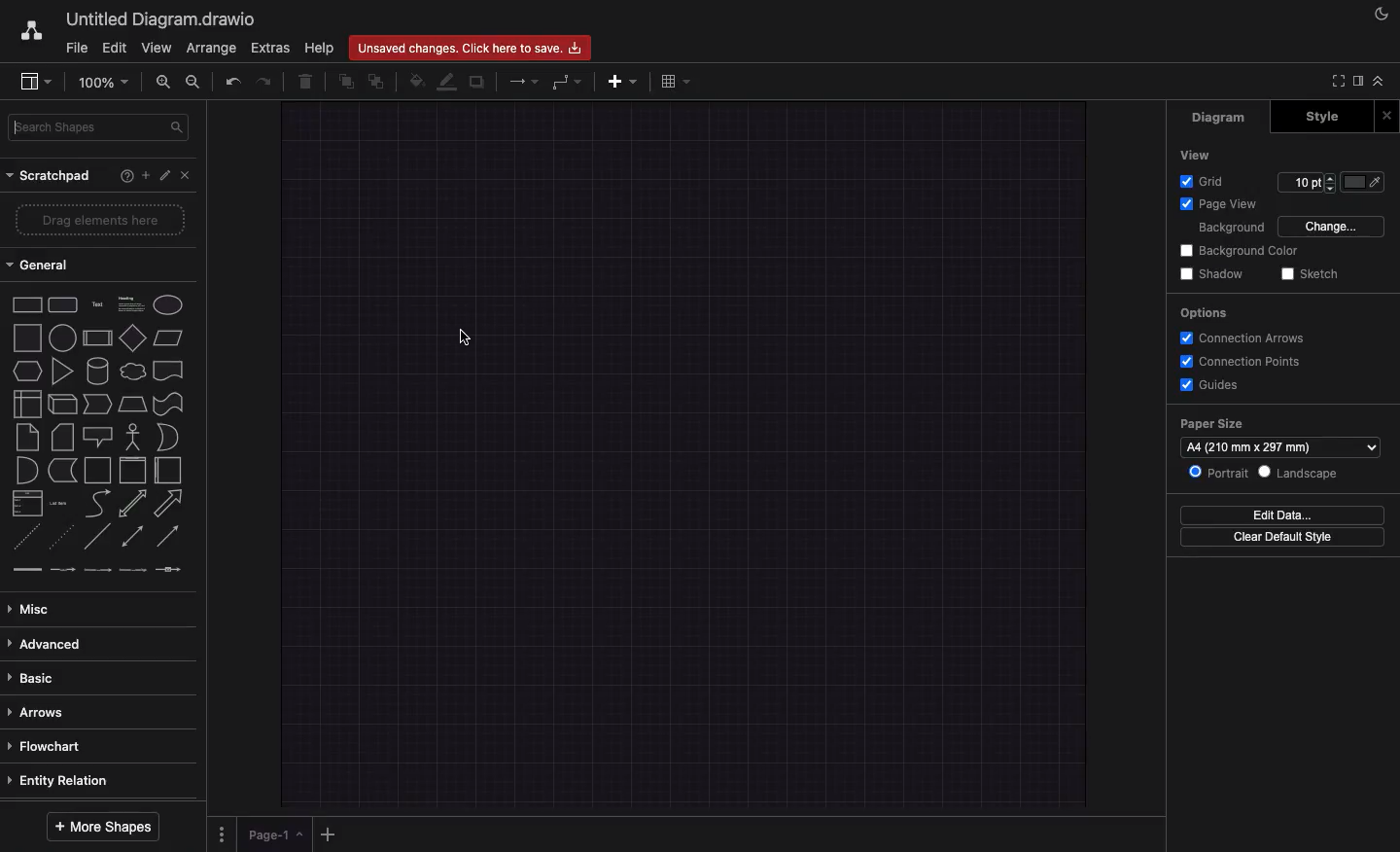  I want to click on Change, so click(1334, 225).